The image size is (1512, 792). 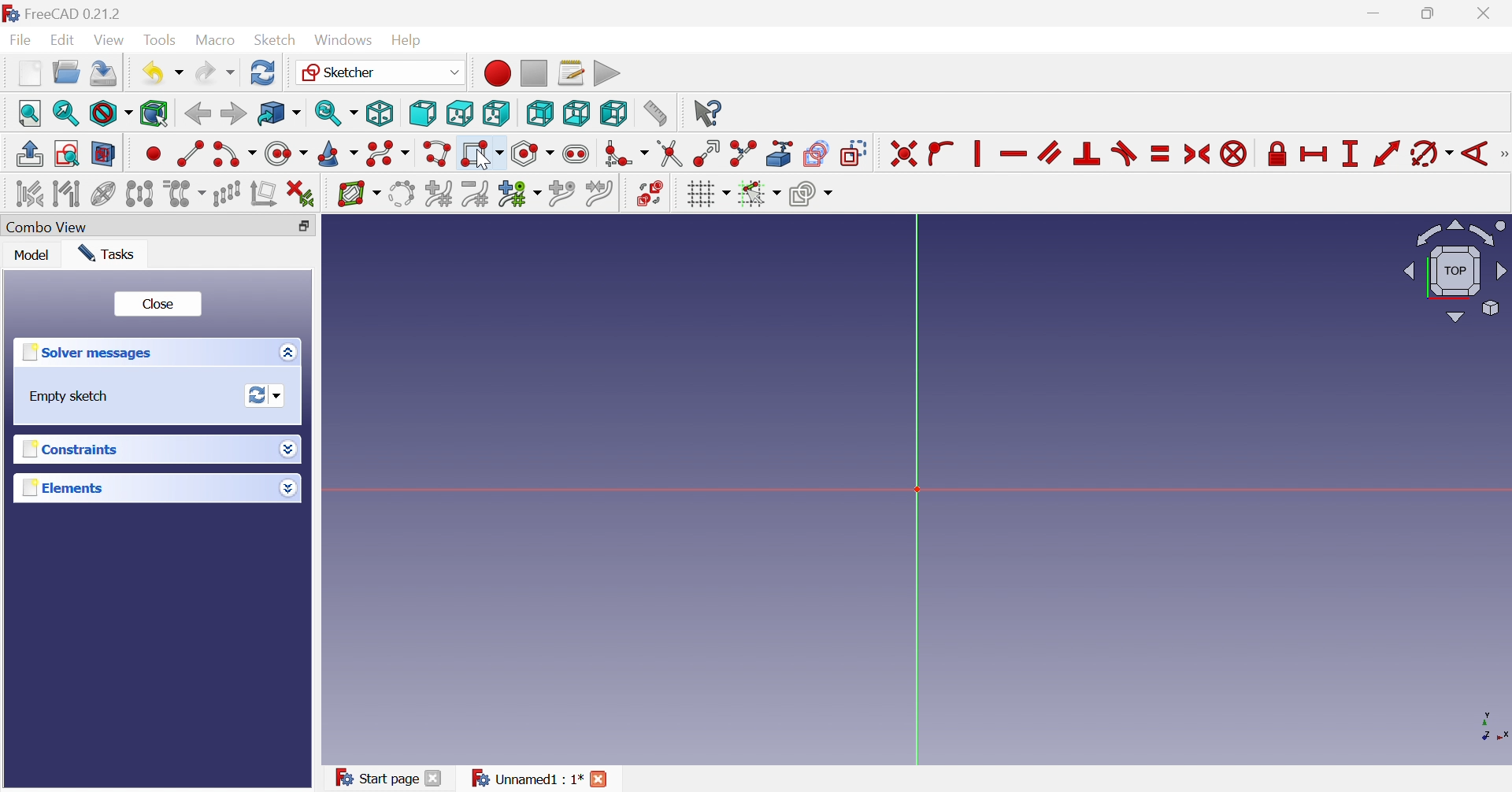 What do you see at coordinates (379, 114) in the screenshot?
I see `Isometric` at bounding box center [379, 114].